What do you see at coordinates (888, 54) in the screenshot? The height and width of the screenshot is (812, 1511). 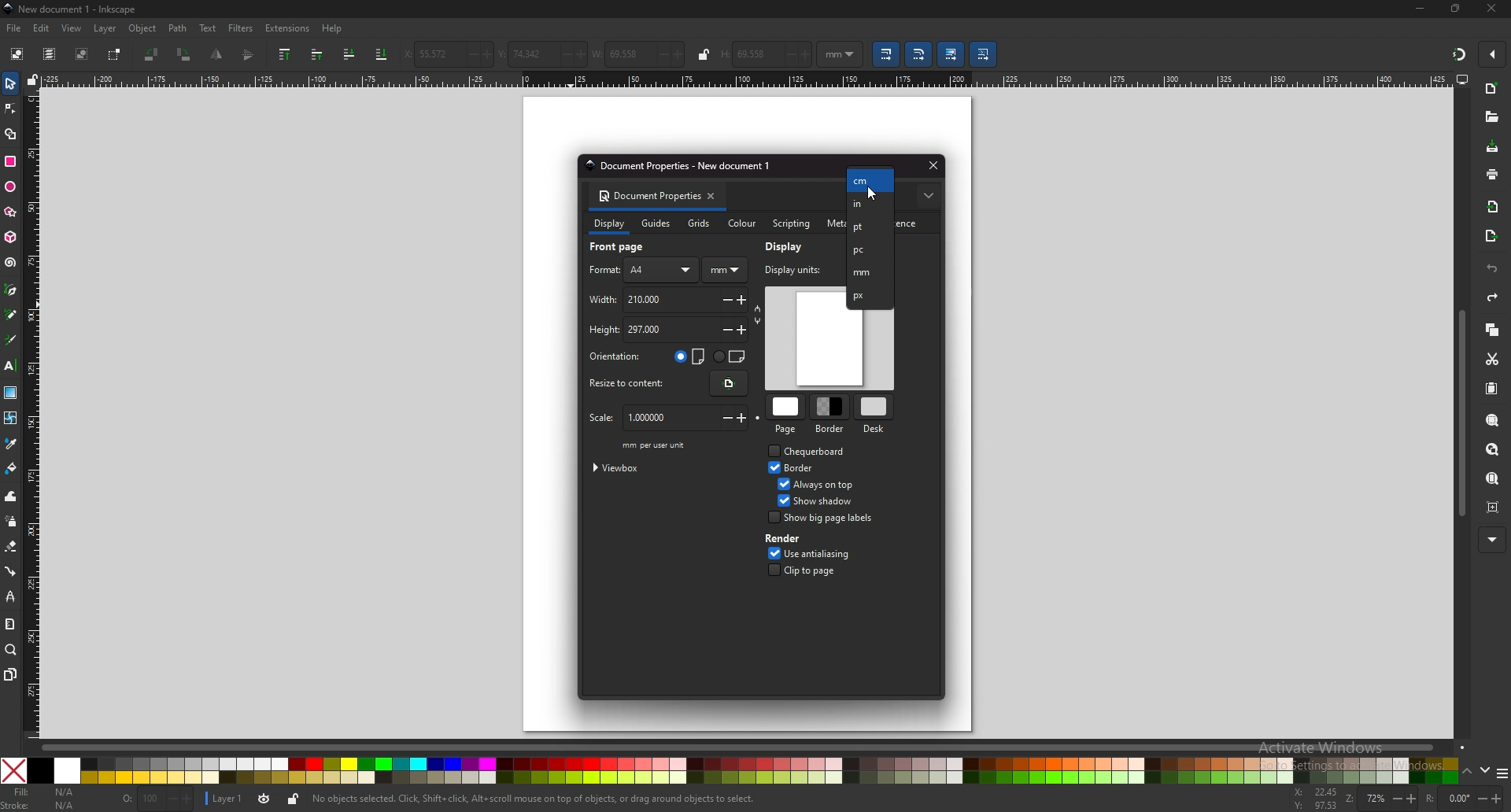 I see `scale stroke` at bounding box center [888, 54].